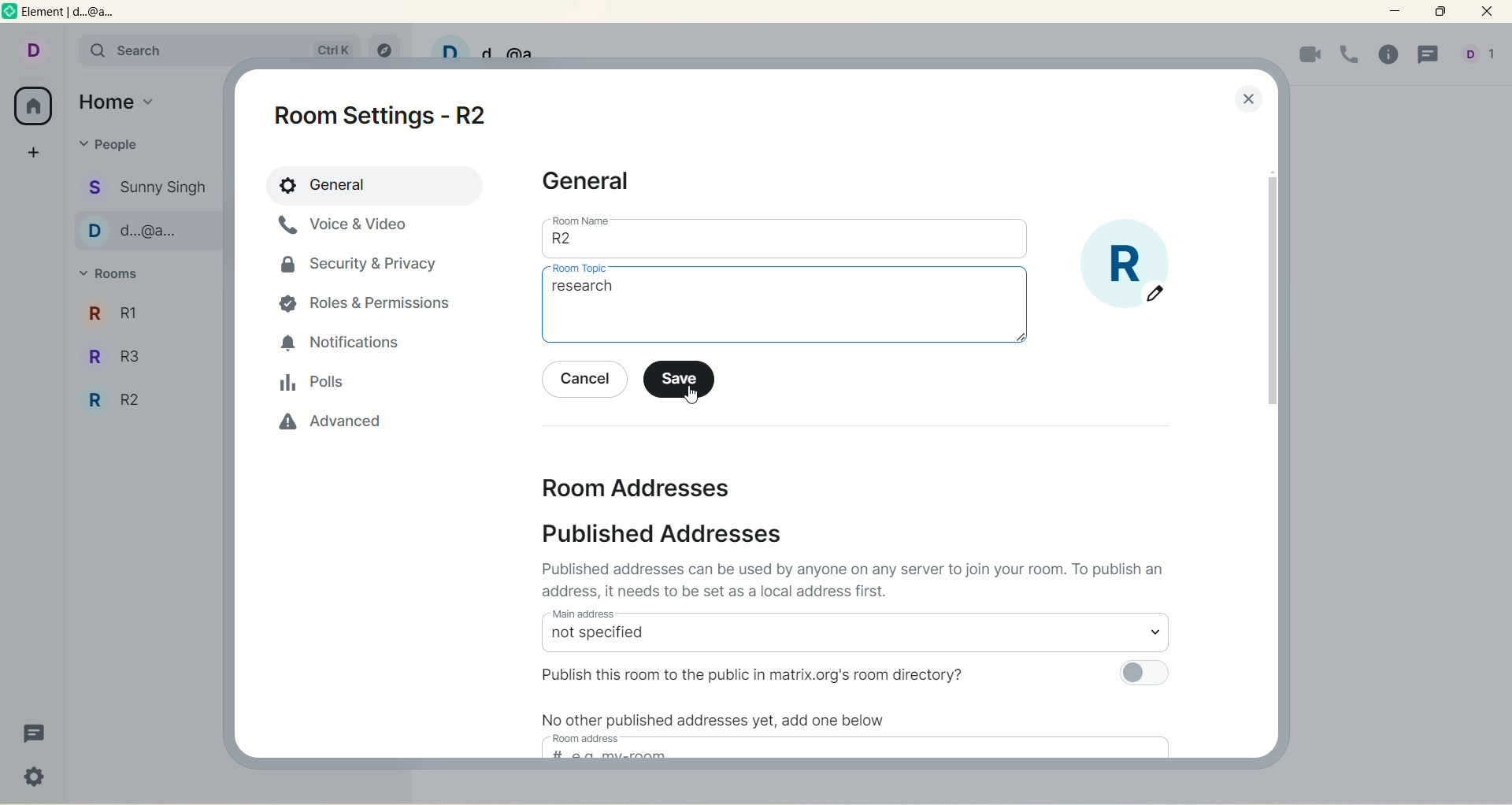 The width and height of the screenshot is (1512, 805). I want to click on room info, so click(1392, 56).